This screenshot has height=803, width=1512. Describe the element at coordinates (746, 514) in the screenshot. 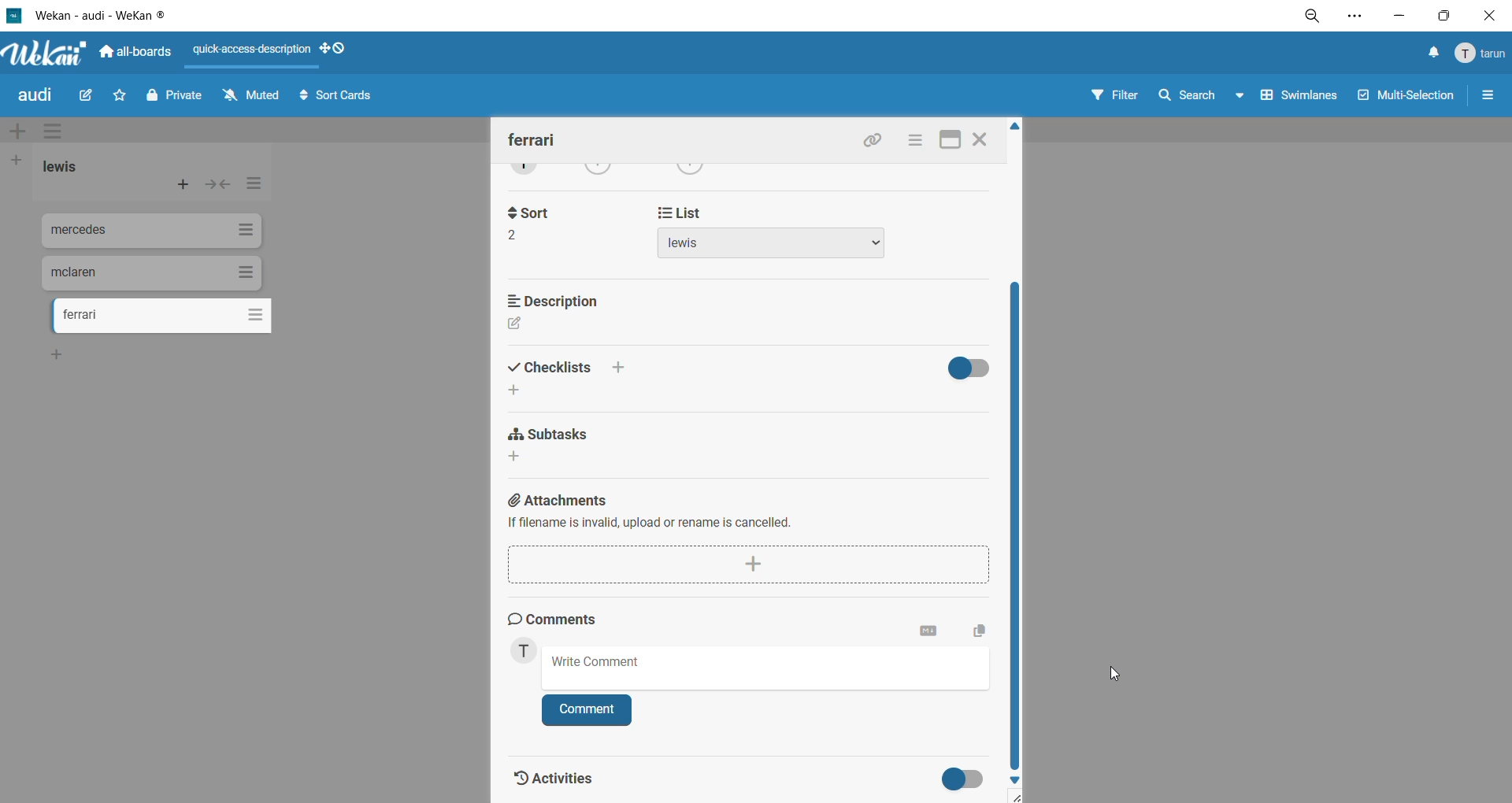

I see `attachments` at that location.